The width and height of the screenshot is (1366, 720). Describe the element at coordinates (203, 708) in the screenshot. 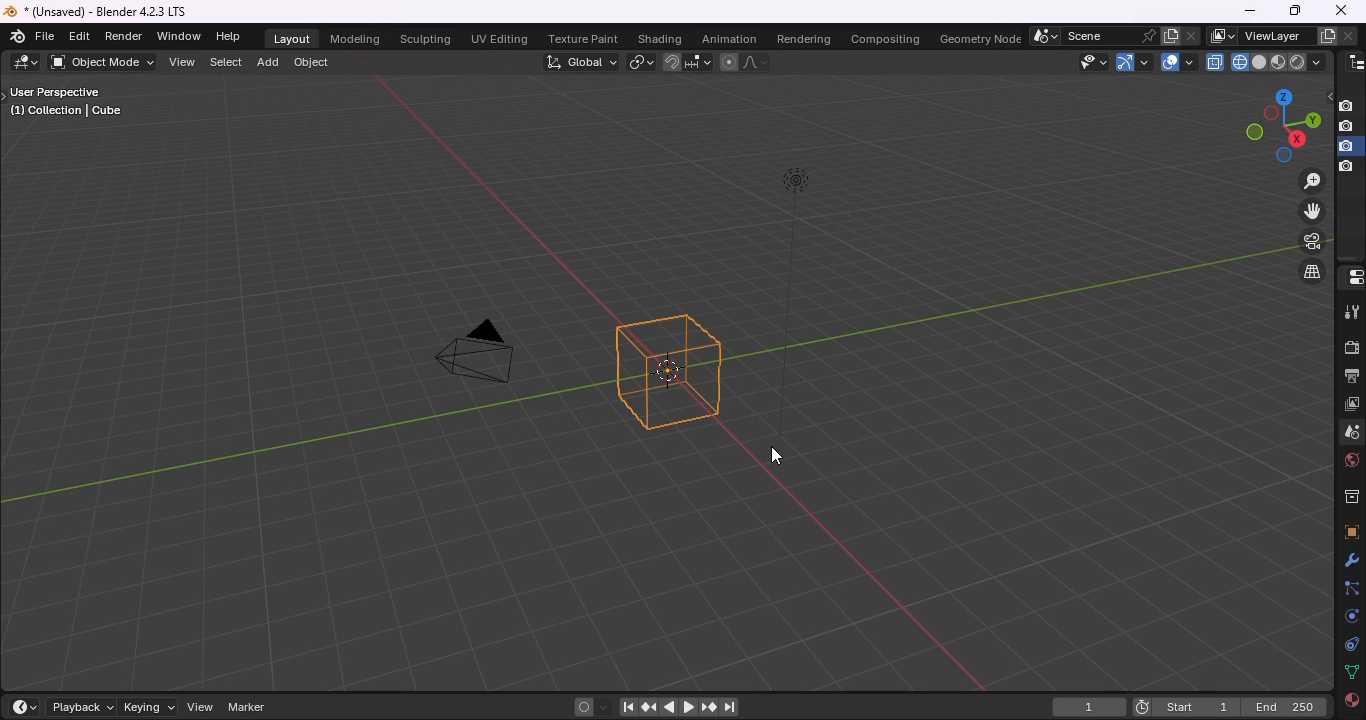

I see `view` at that location.